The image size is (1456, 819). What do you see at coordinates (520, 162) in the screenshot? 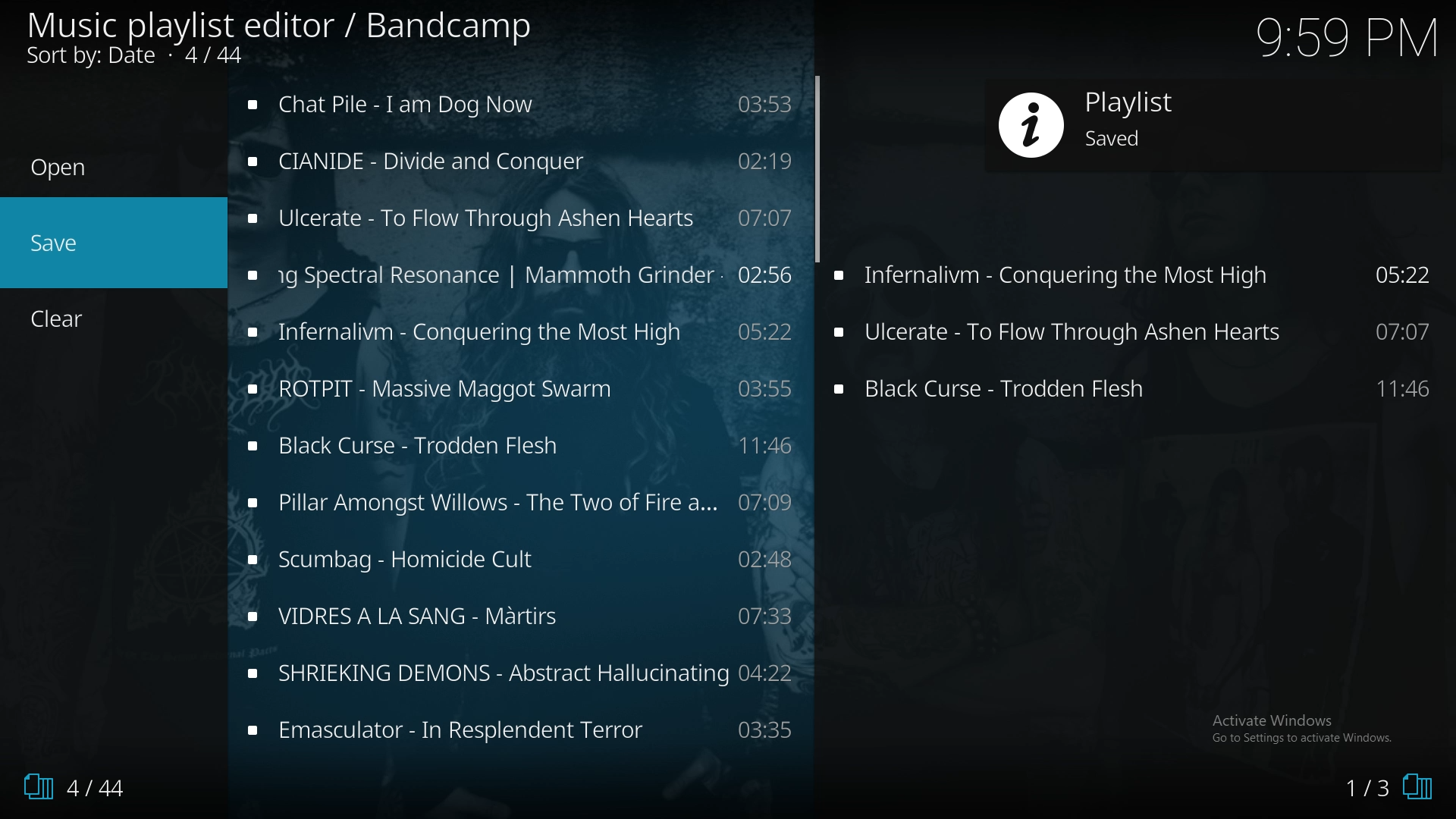
I see `music` at bounding box center [520, 162].